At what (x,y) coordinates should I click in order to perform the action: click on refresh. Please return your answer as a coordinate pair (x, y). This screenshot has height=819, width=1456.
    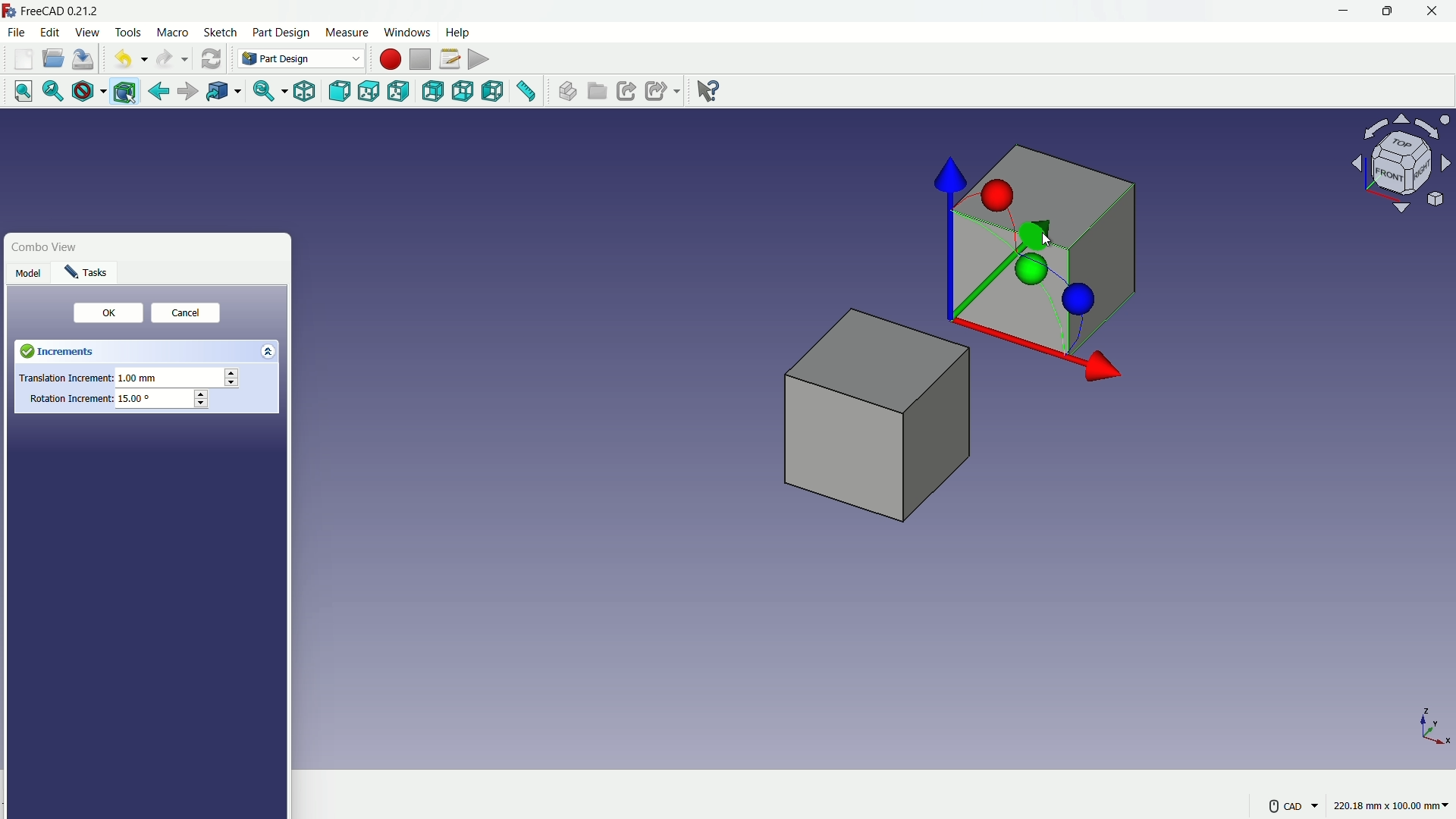
    Looking at the image, I should click on (211, 58).